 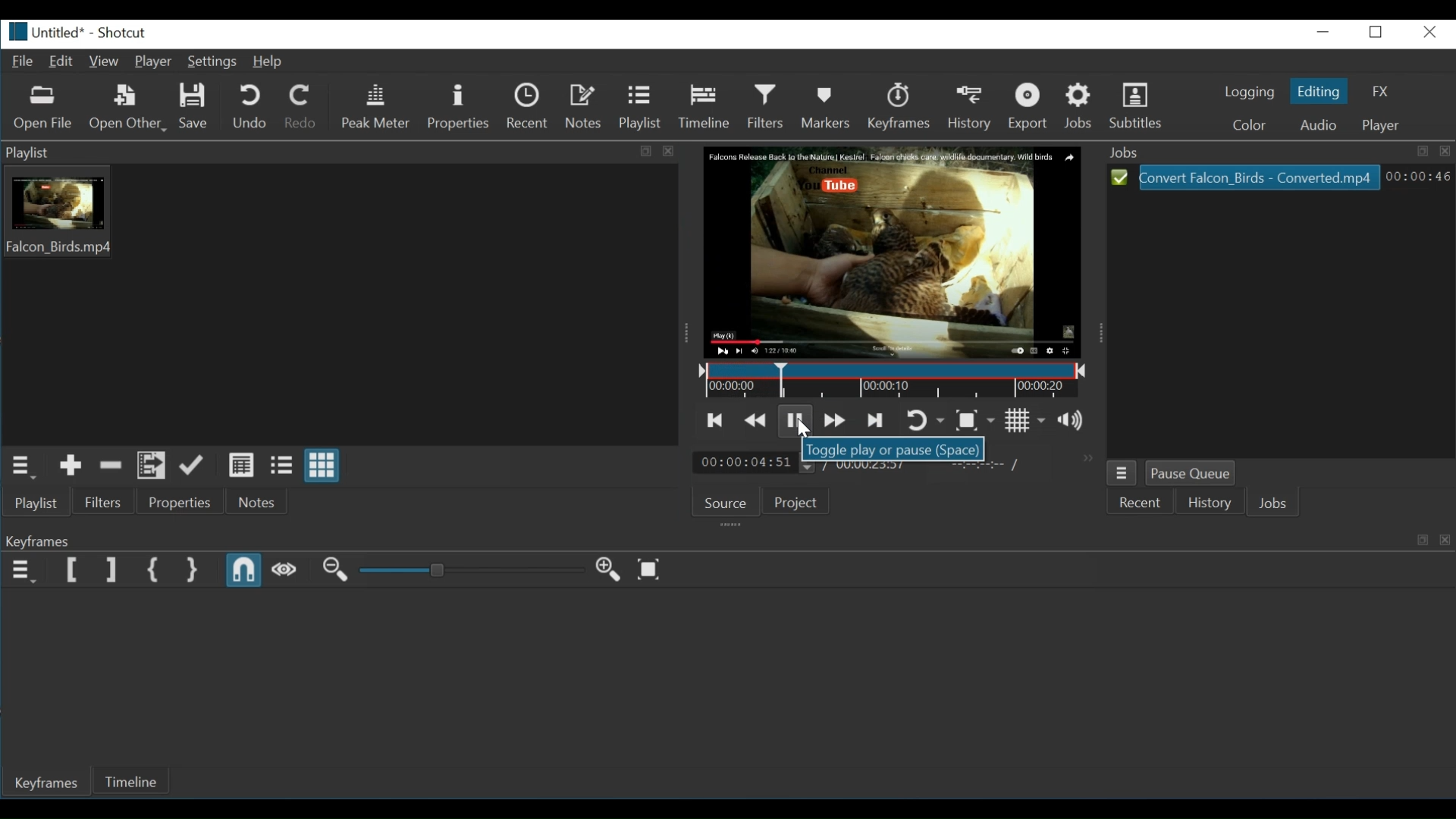 What do you see at coordinates (1136, 105) in the screenshot?
I see `Subtitles` at bounding box center [1136, 105].